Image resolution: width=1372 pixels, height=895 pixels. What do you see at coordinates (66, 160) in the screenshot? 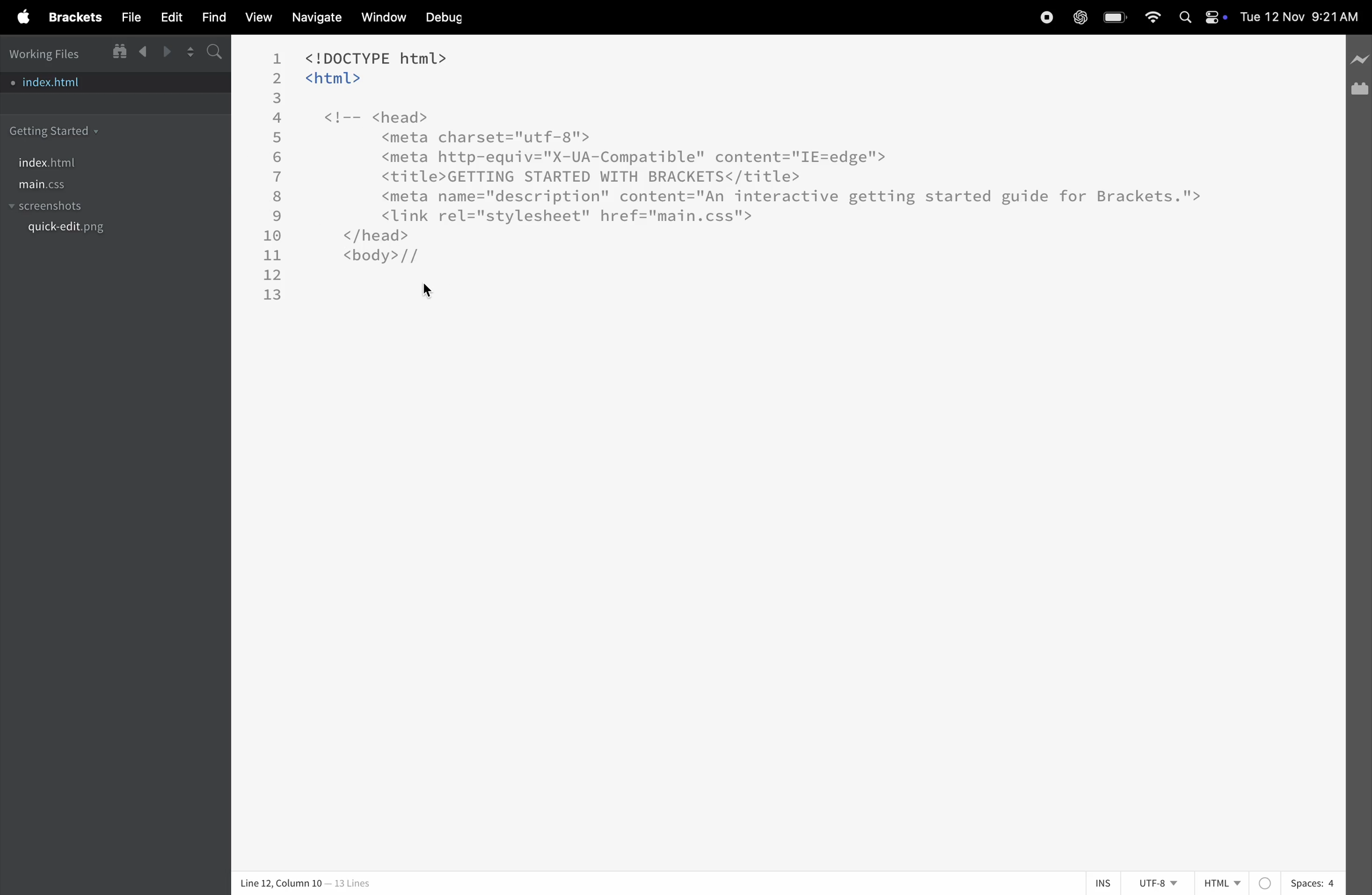
I see `index.html` at bounding box center [66, 160].